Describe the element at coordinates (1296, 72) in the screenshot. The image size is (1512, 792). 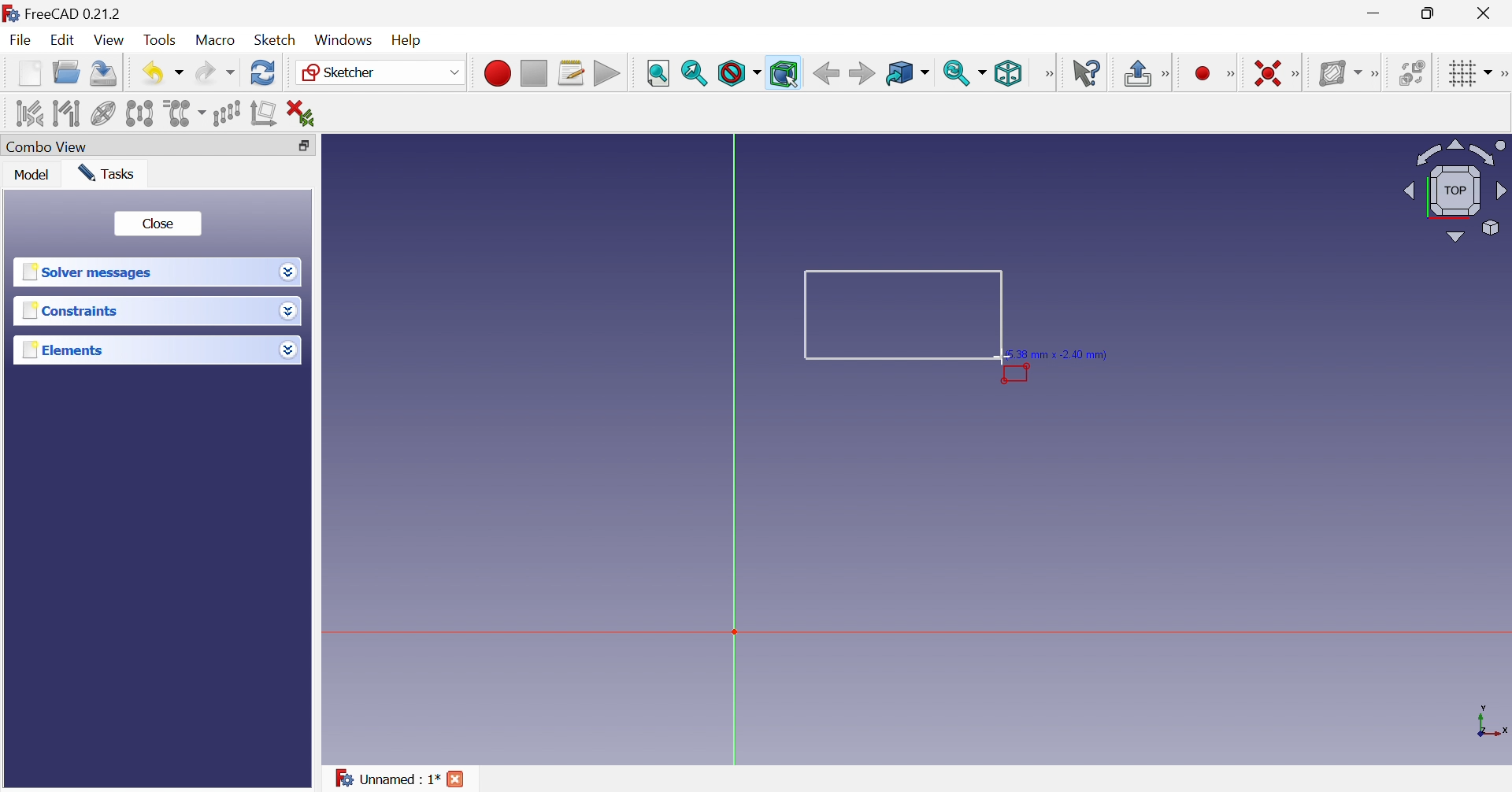
I see `Sketcher constraints` at that location.